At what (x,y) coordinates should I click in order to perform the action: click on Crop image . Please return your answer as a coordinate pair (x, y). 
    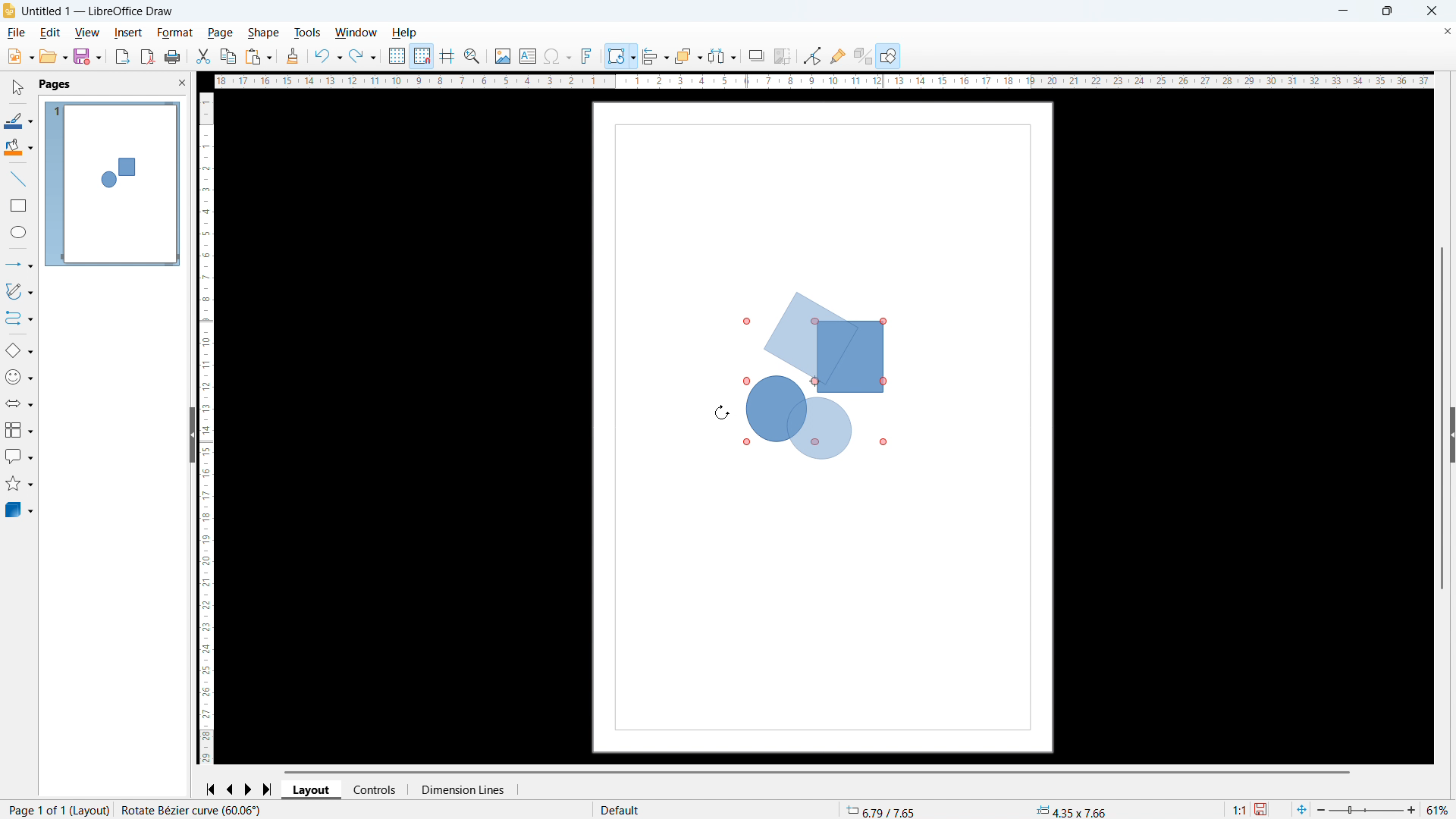
    Looking at the image, I should click on (782, 56).